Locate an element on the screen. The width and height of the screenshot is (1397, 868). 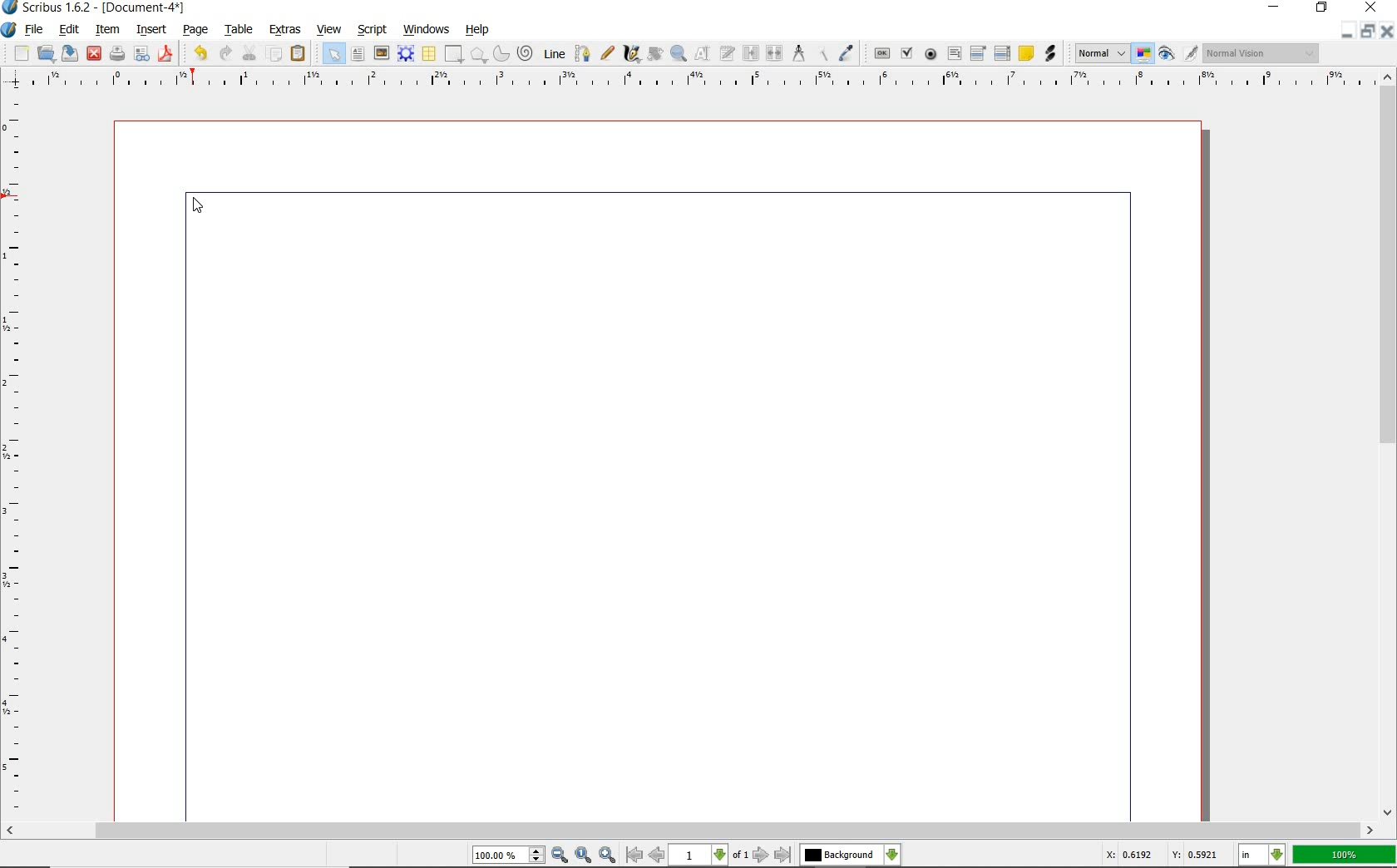
windows is located at coordinates (426, 29).